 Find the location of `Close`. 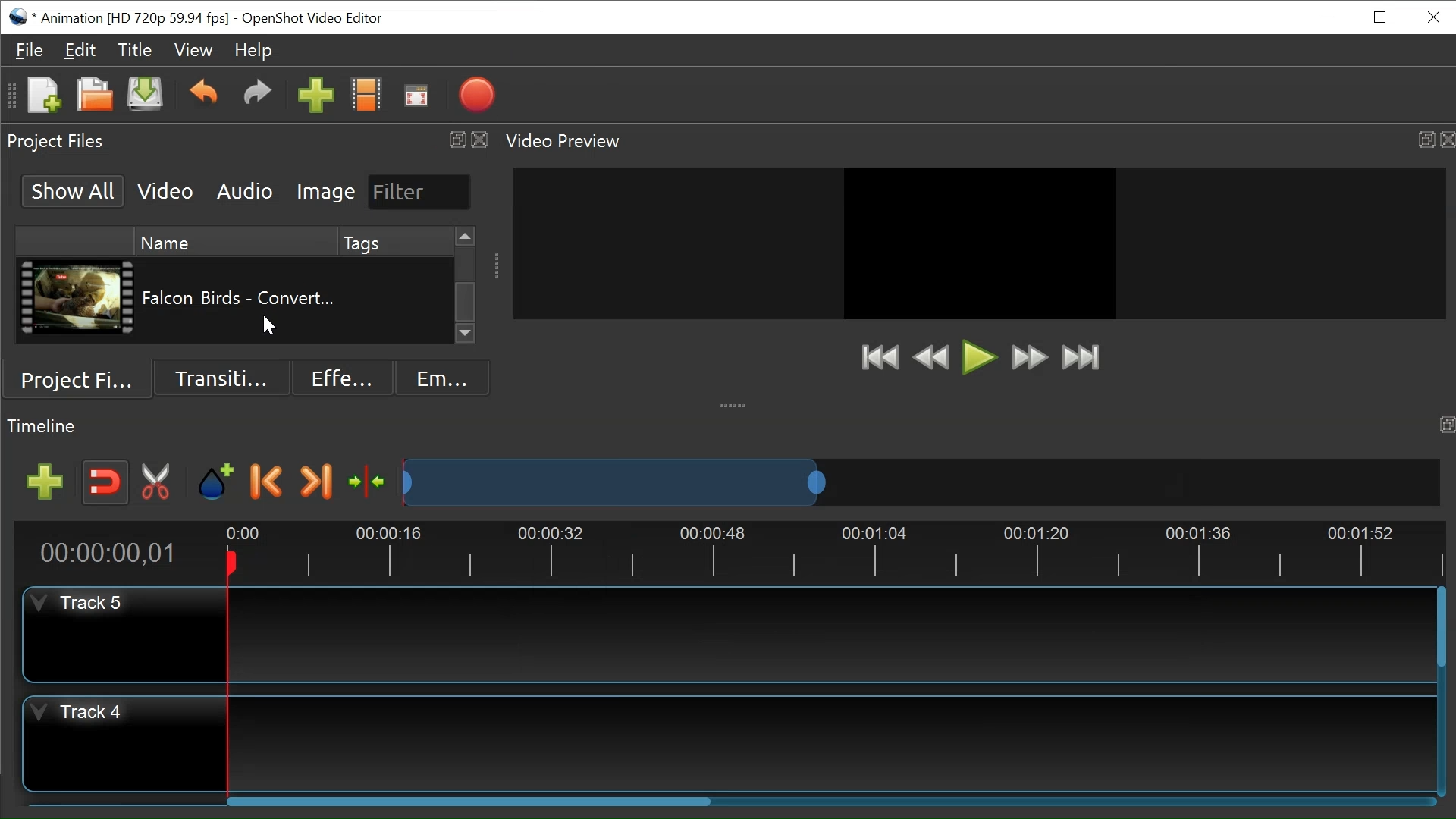

Close is located at coordinates (480, 140).